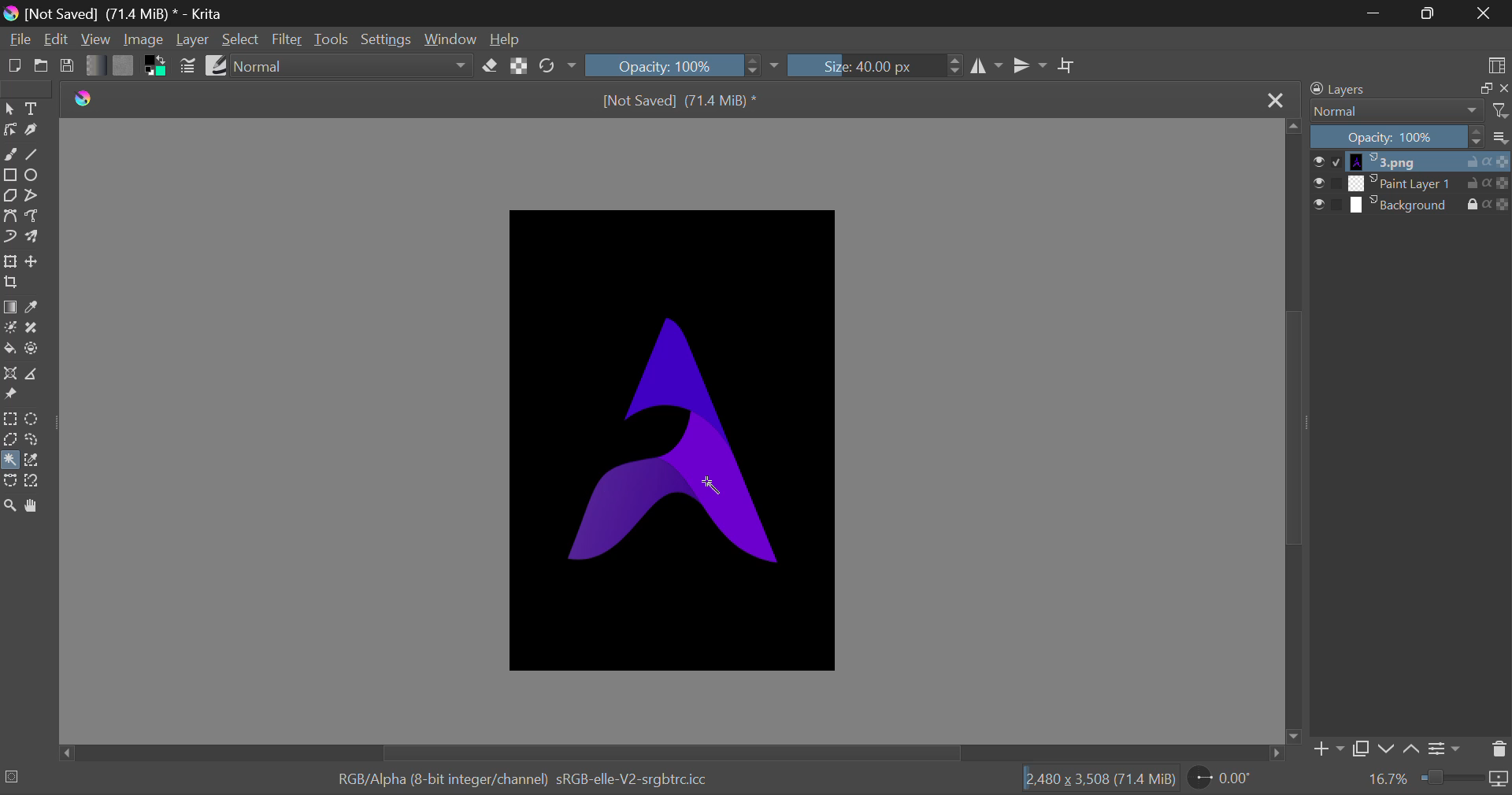  Describe the element at coordinates (1499, 139) in the screenshot. I see `more options` at that location.